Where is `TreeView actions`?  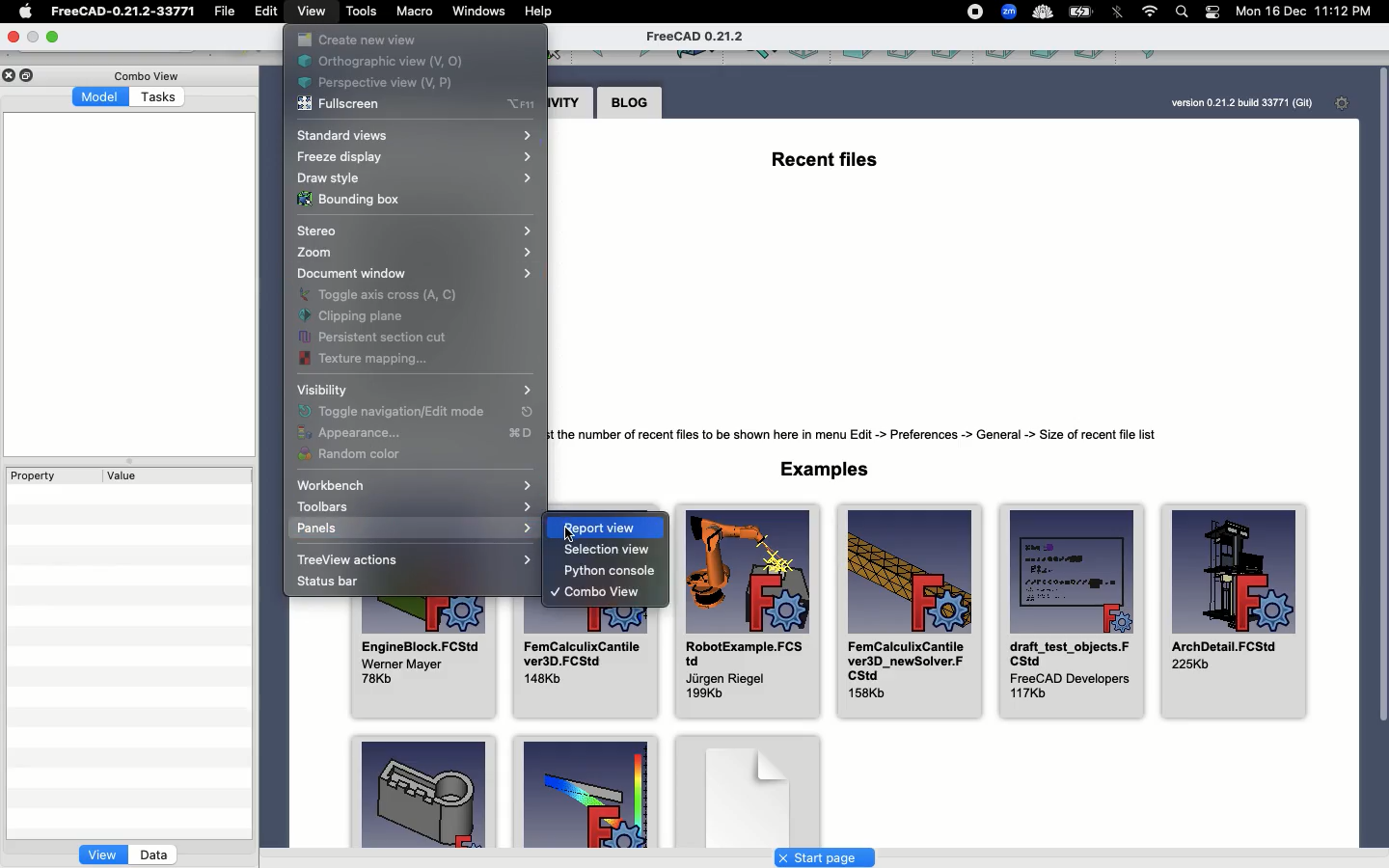
TreeView actions is located at coordinates (414, 560).